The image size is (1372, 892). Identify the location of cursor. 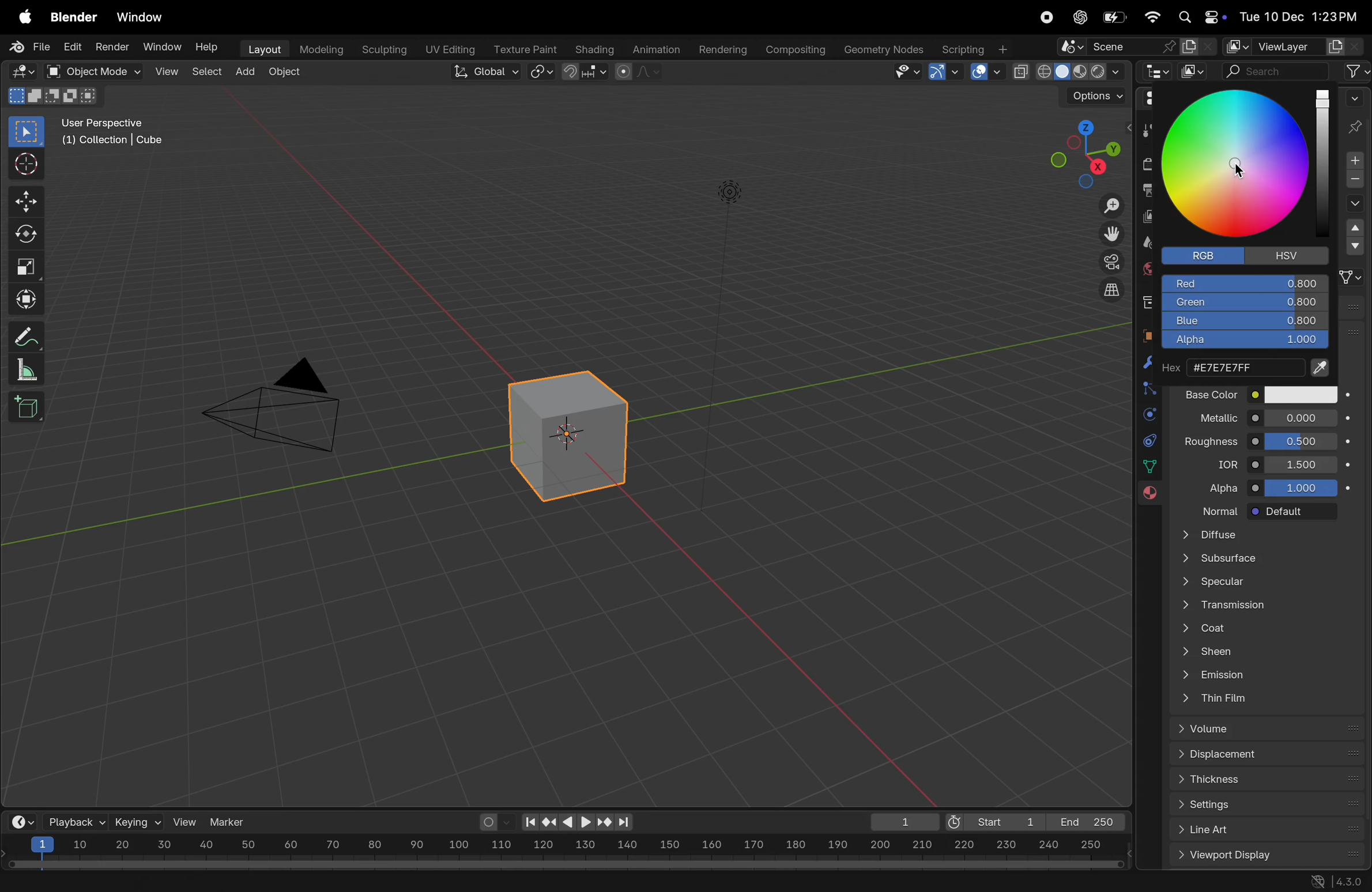
(24, 165).